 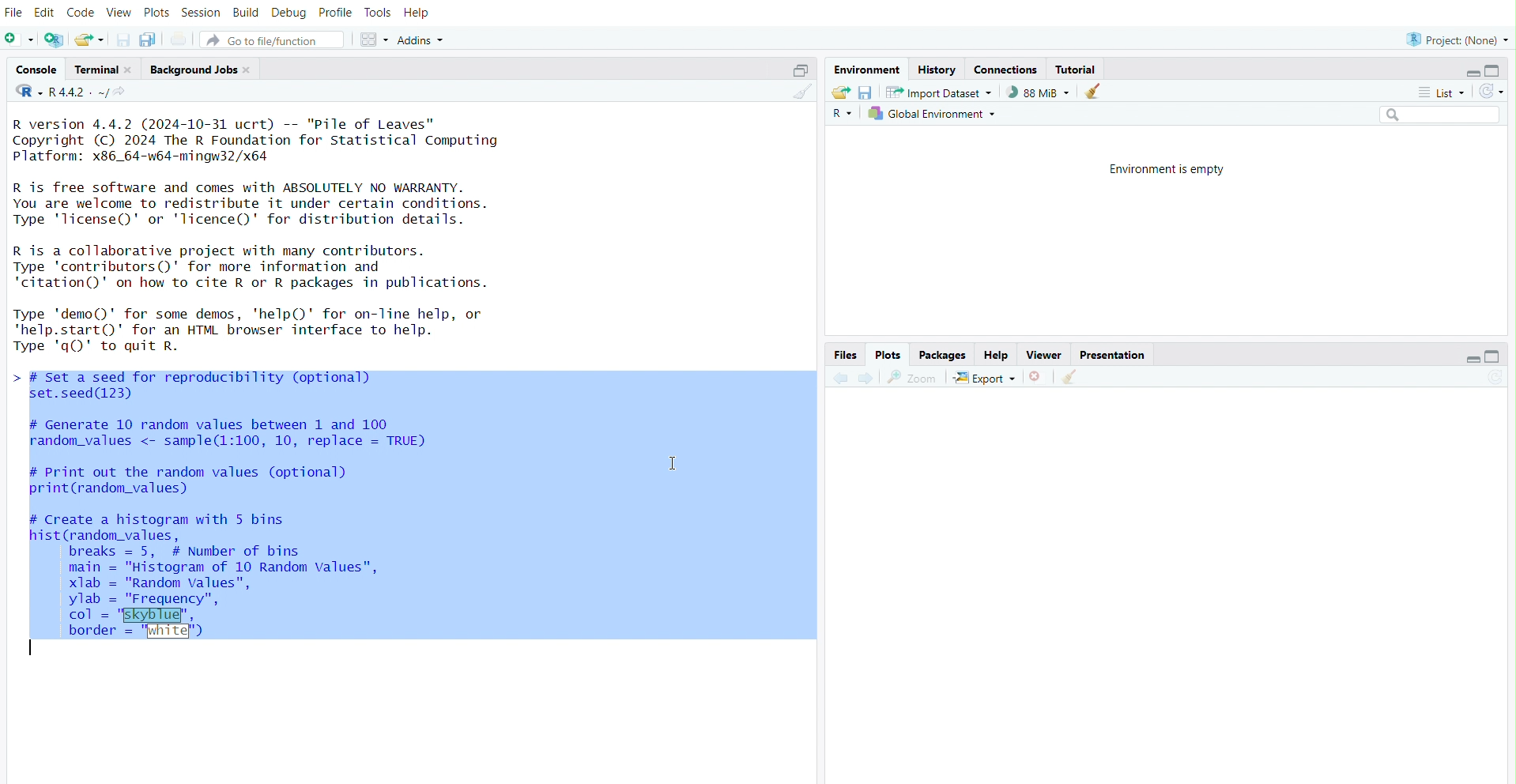 What do you see at coordinates (289, 138) in the screenshot?
I see `version of R` at bounding box center [289, 138].